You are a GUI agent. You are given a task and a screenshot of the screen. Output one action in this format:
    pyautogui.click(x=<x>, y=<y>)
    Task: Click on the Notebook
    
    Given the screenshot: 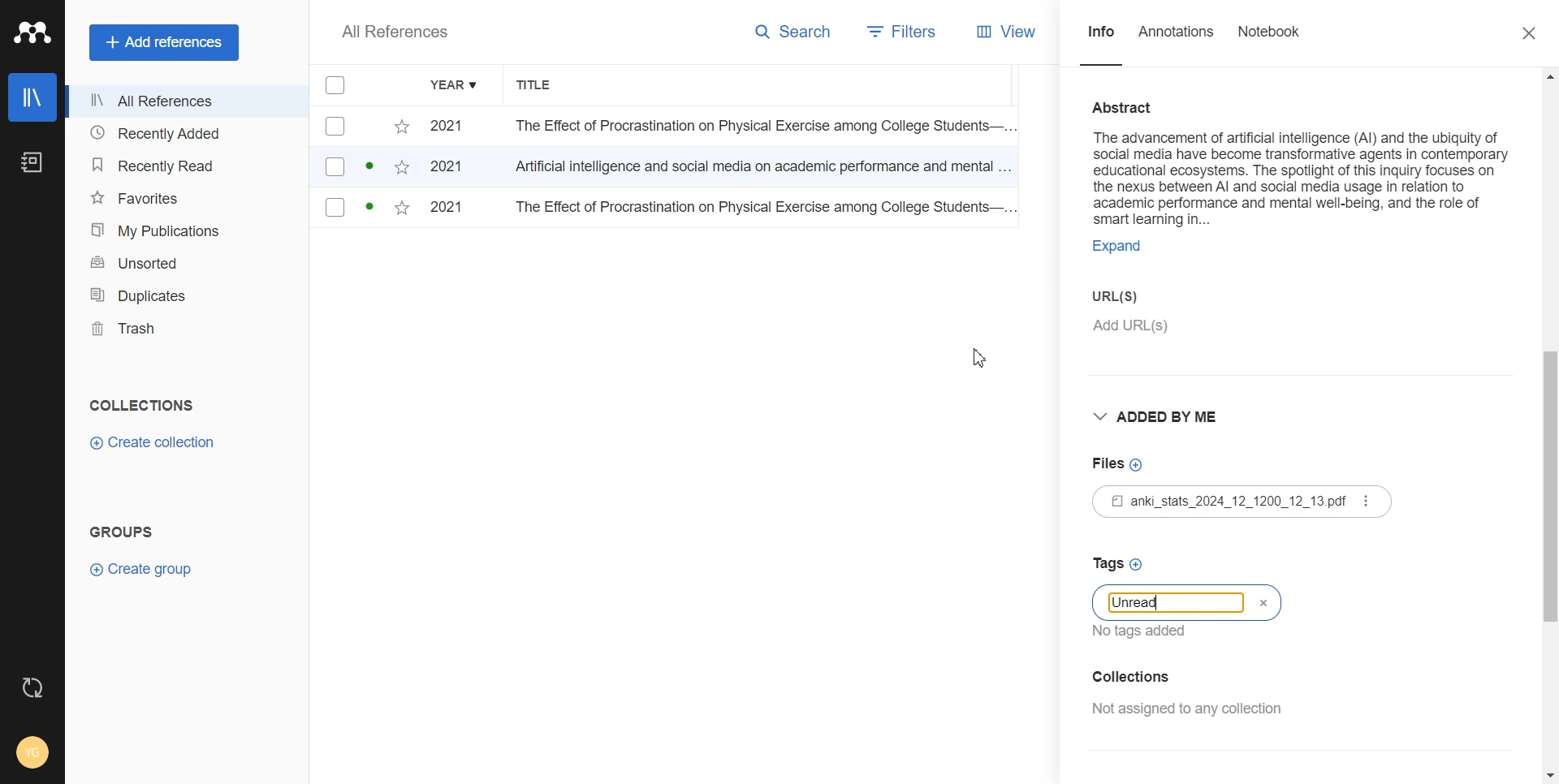 What is the action you would take?
    pyautogui.click(x=32, y=163)
    